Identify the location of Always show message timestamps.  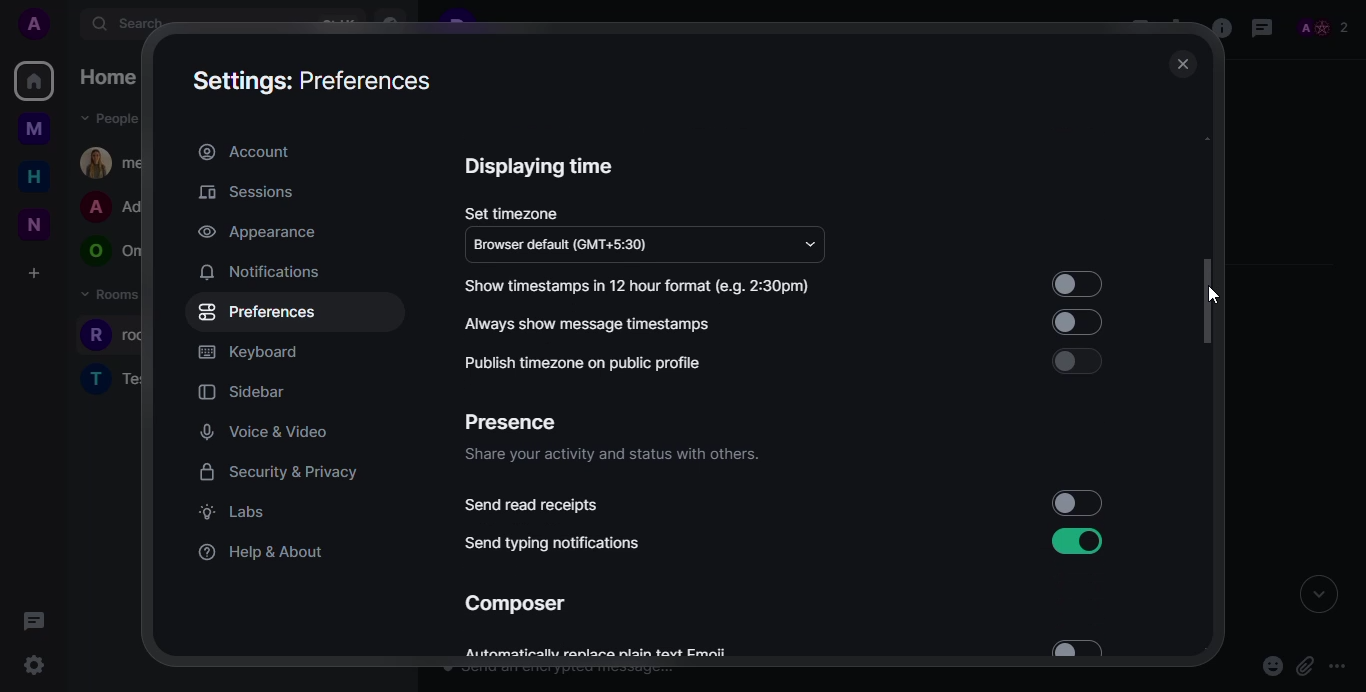
(593, 324).